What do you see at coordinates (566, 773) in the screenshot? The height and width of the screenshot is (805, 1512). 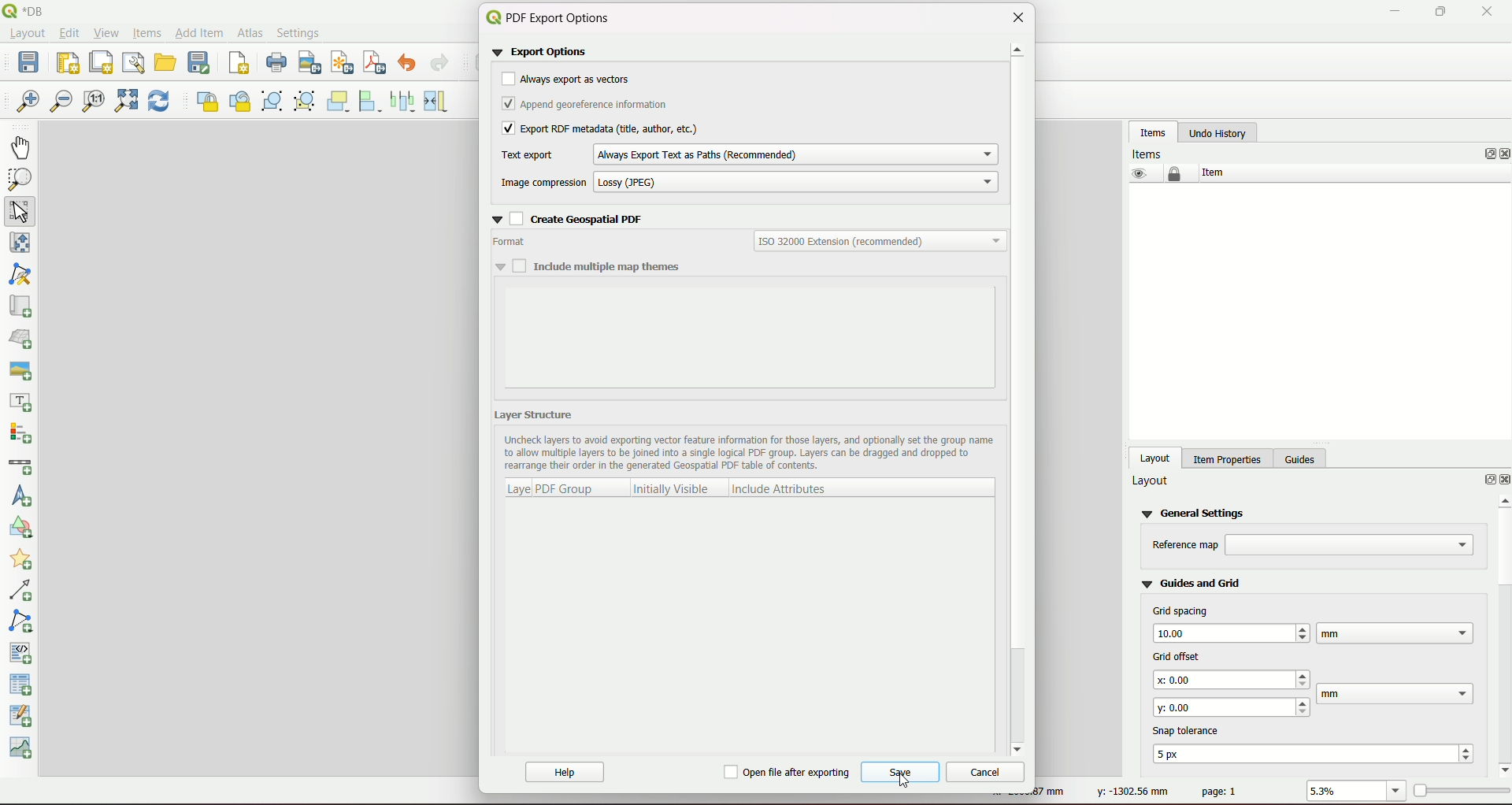 I see `help` at bounding box center [566, 773].